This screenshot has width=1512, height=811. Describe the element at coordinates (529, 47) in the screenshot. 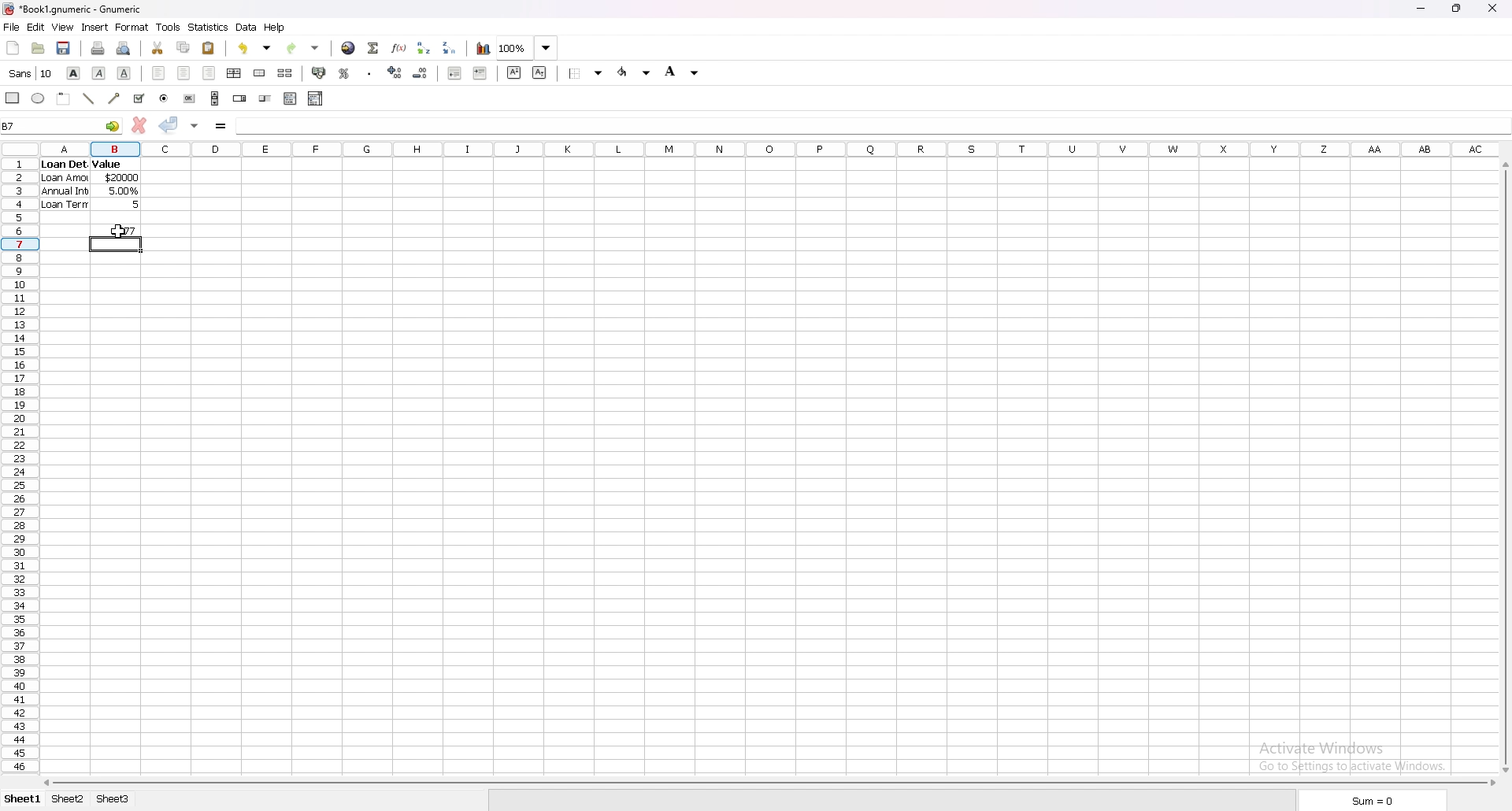

I see `zoom` at that location.